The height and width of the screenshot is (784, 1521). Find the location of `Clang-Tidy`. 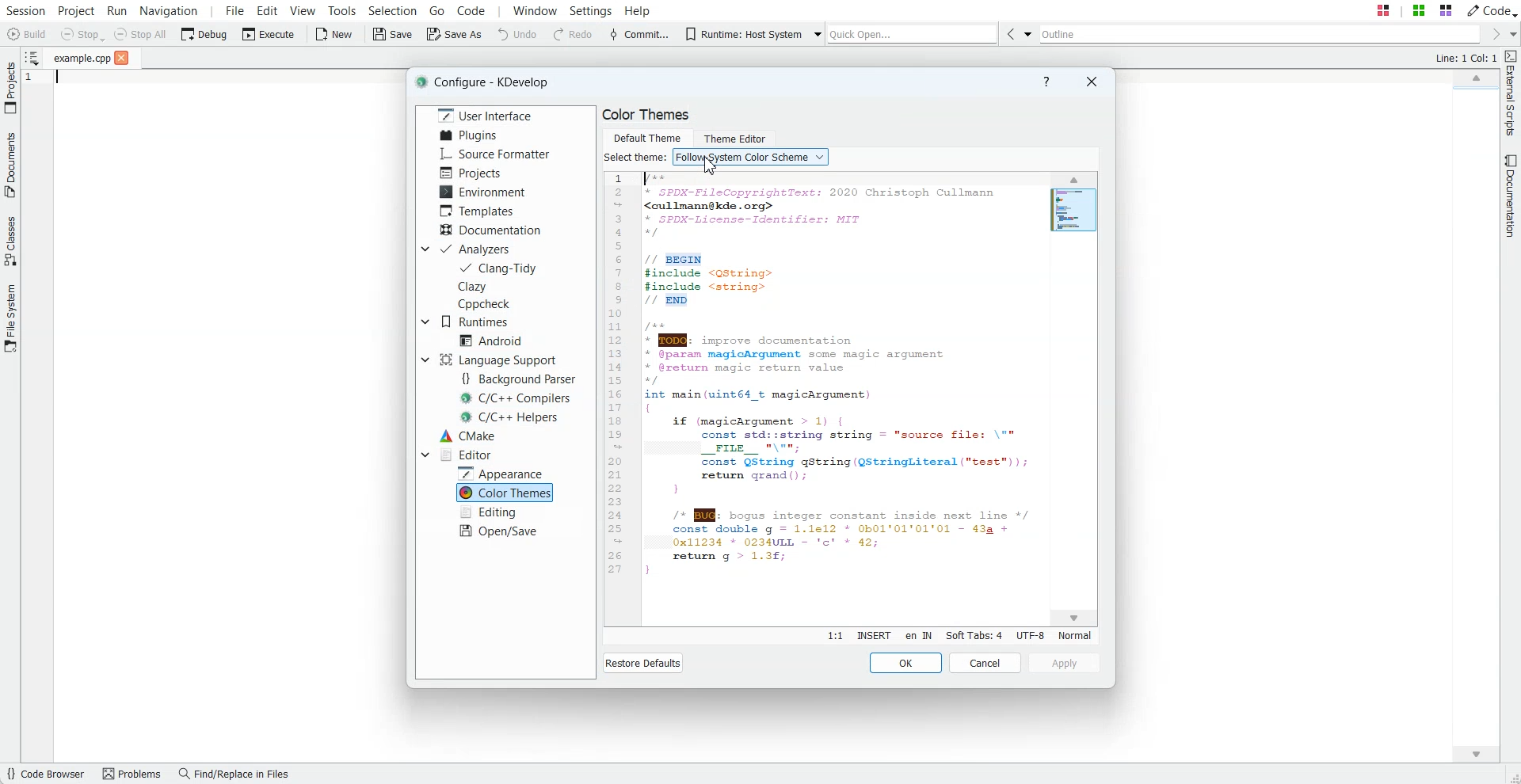

Clang-Tidy is located at coordinates (499, 268).